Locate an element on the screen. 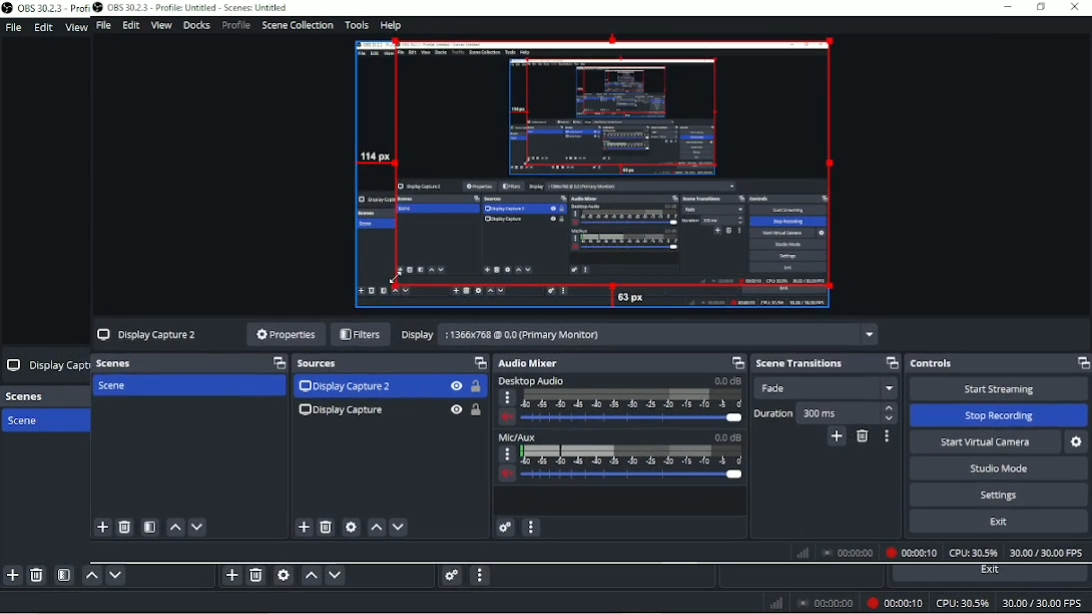 This screenshot has width=1092, height=614. Desktop Audio is located at coordinates (536, 382).